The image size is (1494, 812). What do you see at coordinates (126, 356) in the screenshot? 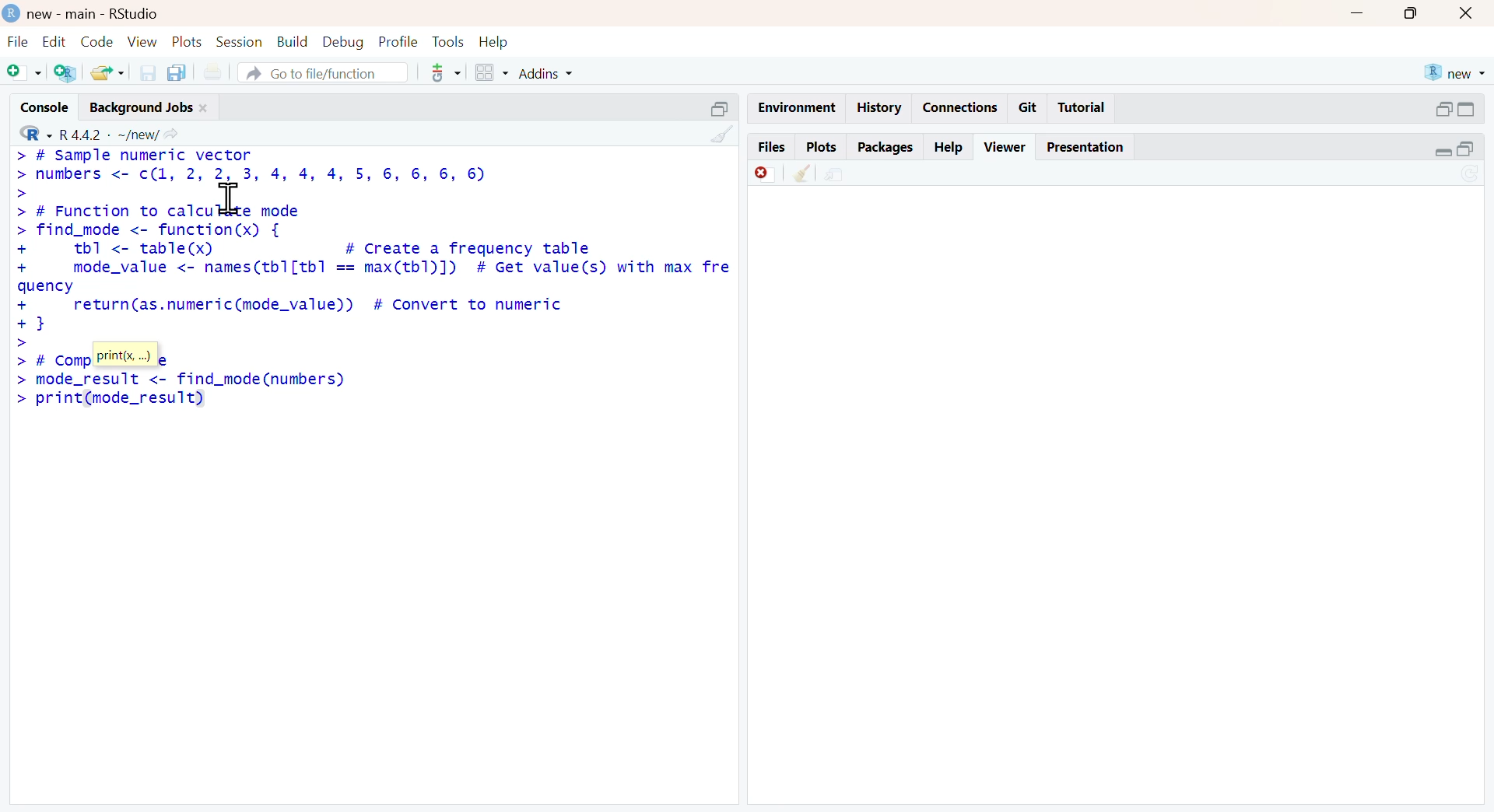
I see `print(x, ...)` at bounding box center [126, 356].